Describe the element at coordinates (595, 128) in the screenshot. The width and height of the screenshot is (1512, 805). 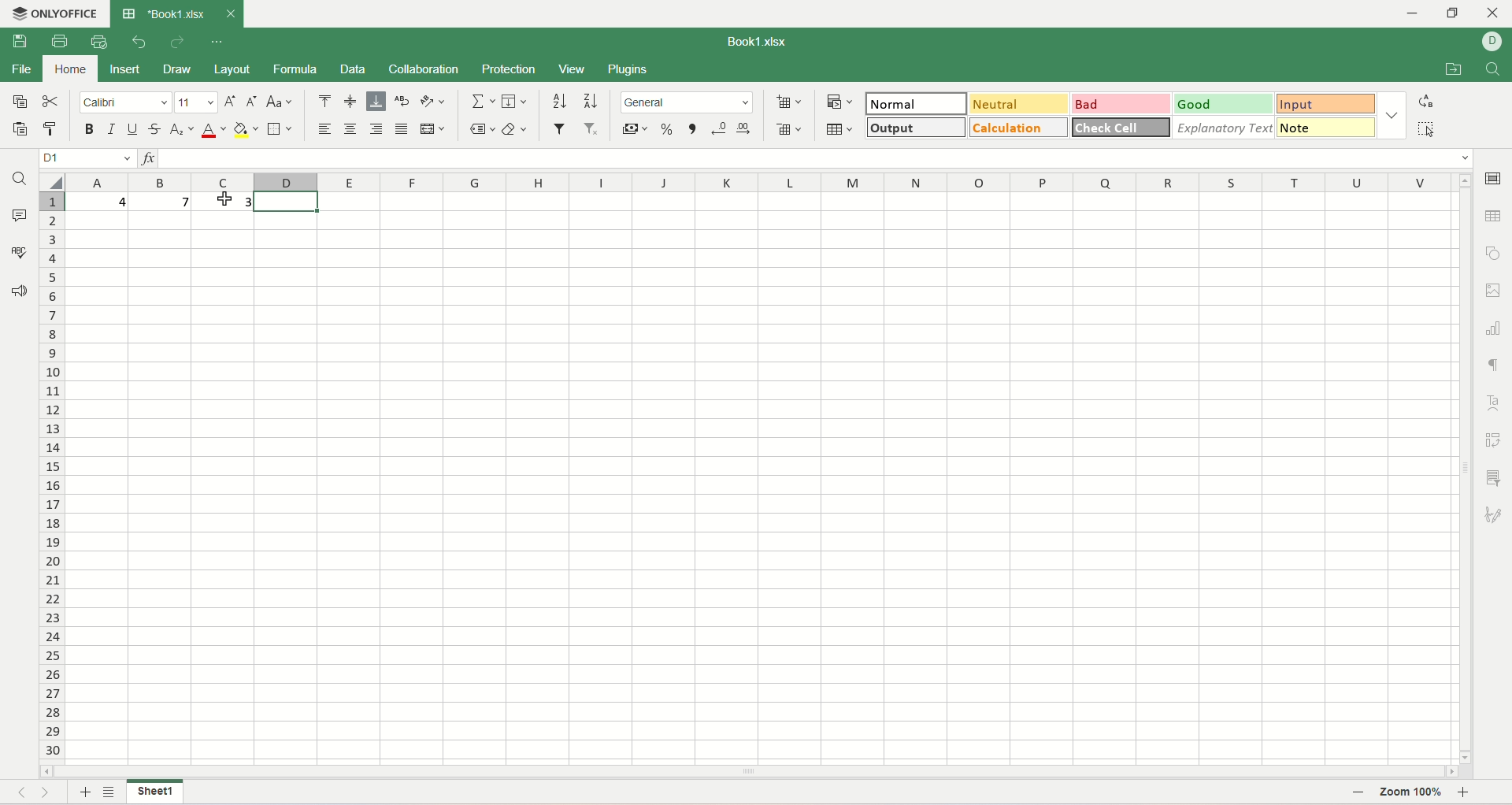
I see `remove filter` at that location.